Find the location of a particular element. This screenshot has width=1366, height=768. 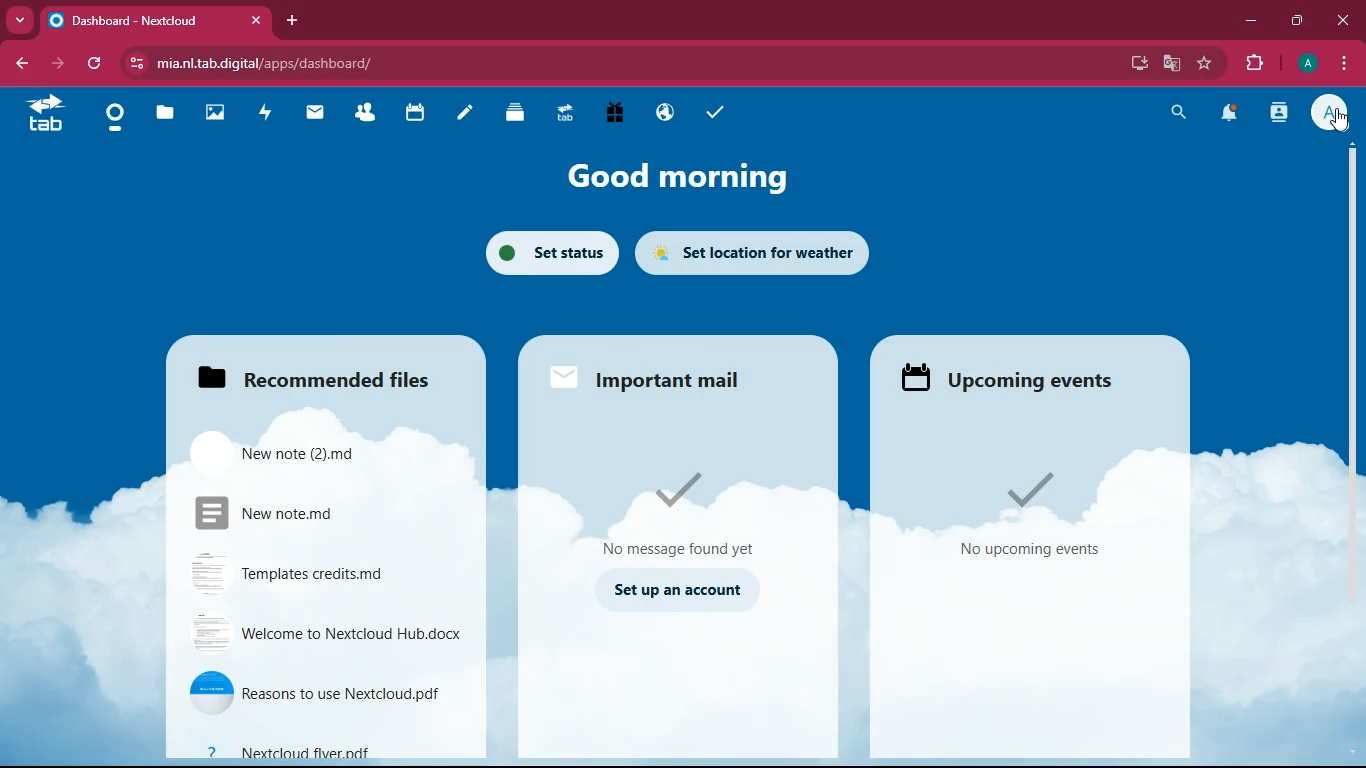

activity is located at coordinates (1276, 115).